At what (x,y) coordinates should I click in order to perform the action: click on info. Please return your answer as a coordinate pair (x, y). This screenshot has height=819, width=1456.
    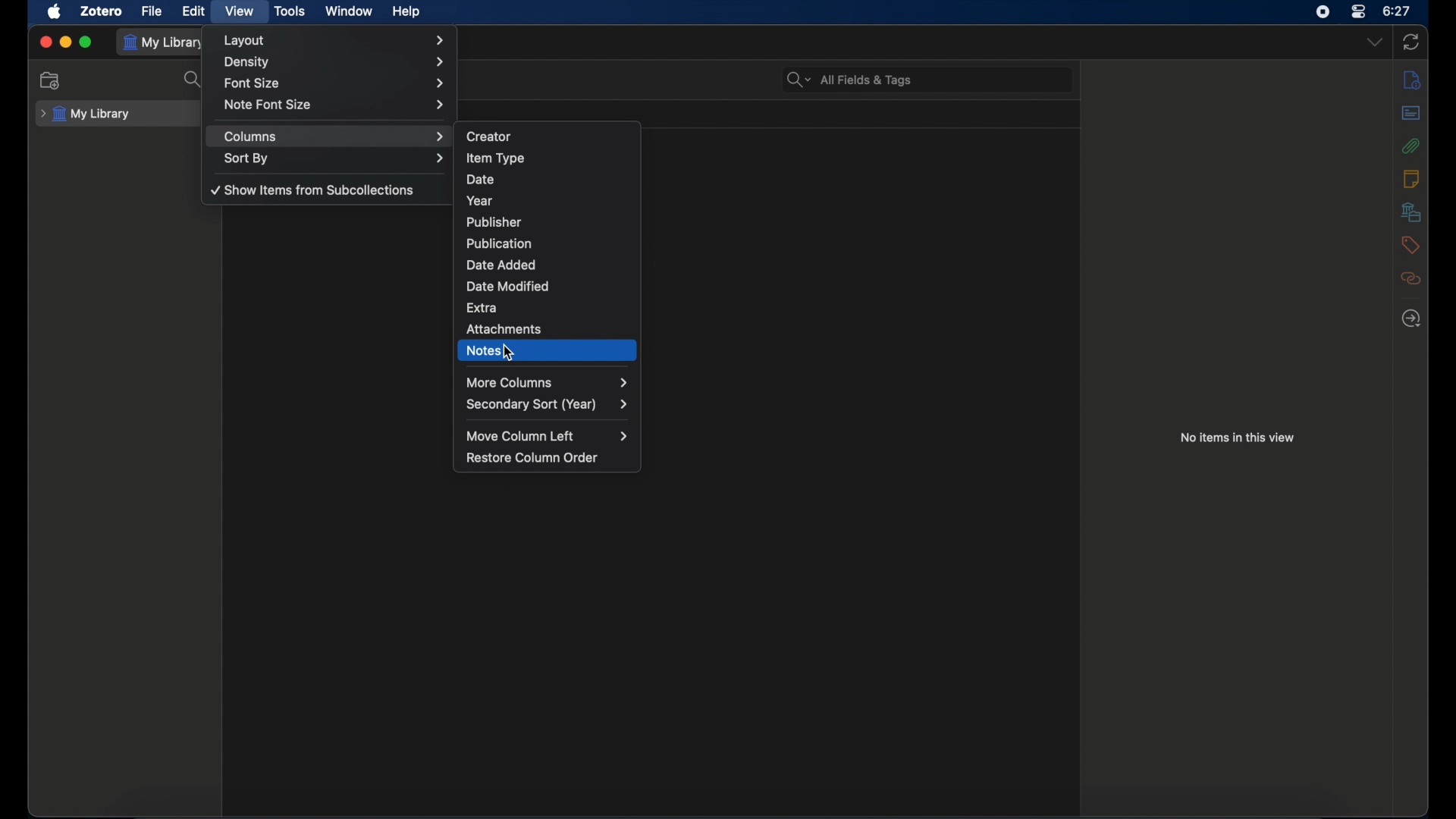
    Looking at the image, I should click on (1412, 178).